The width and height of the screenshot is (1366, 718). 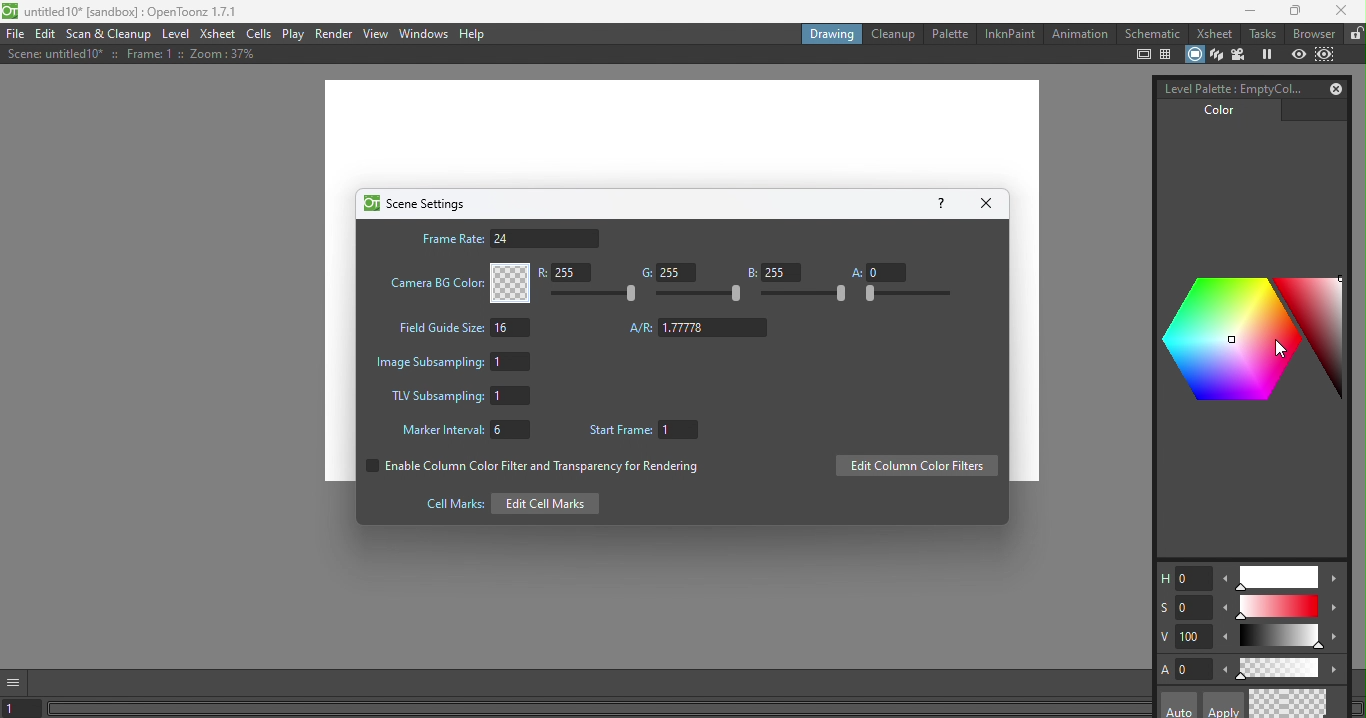 I want to click on close, so click(x=1344, y=13).